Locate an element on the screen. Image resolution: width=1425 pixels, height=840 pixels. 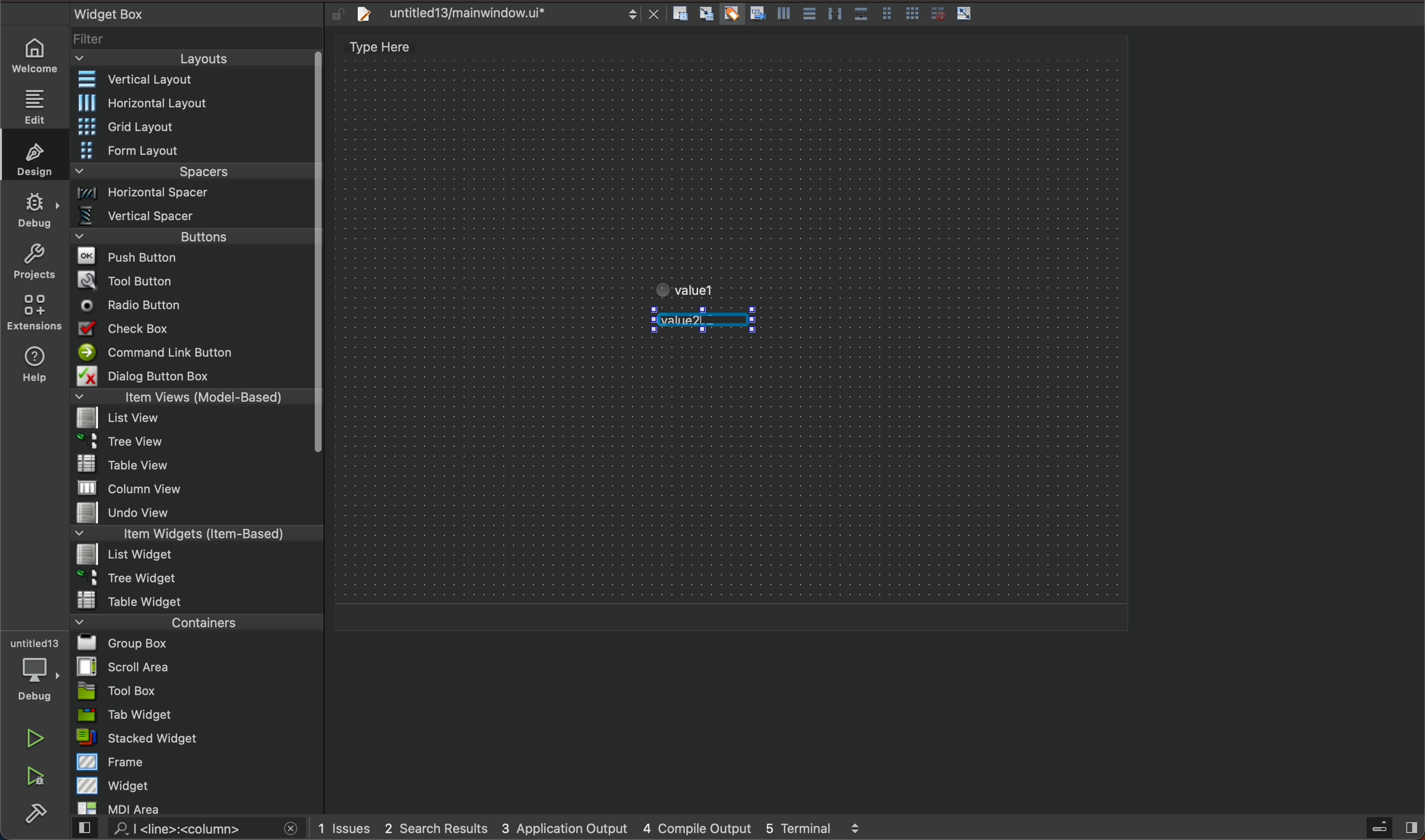
layouts is located at coordinates (192, 62).